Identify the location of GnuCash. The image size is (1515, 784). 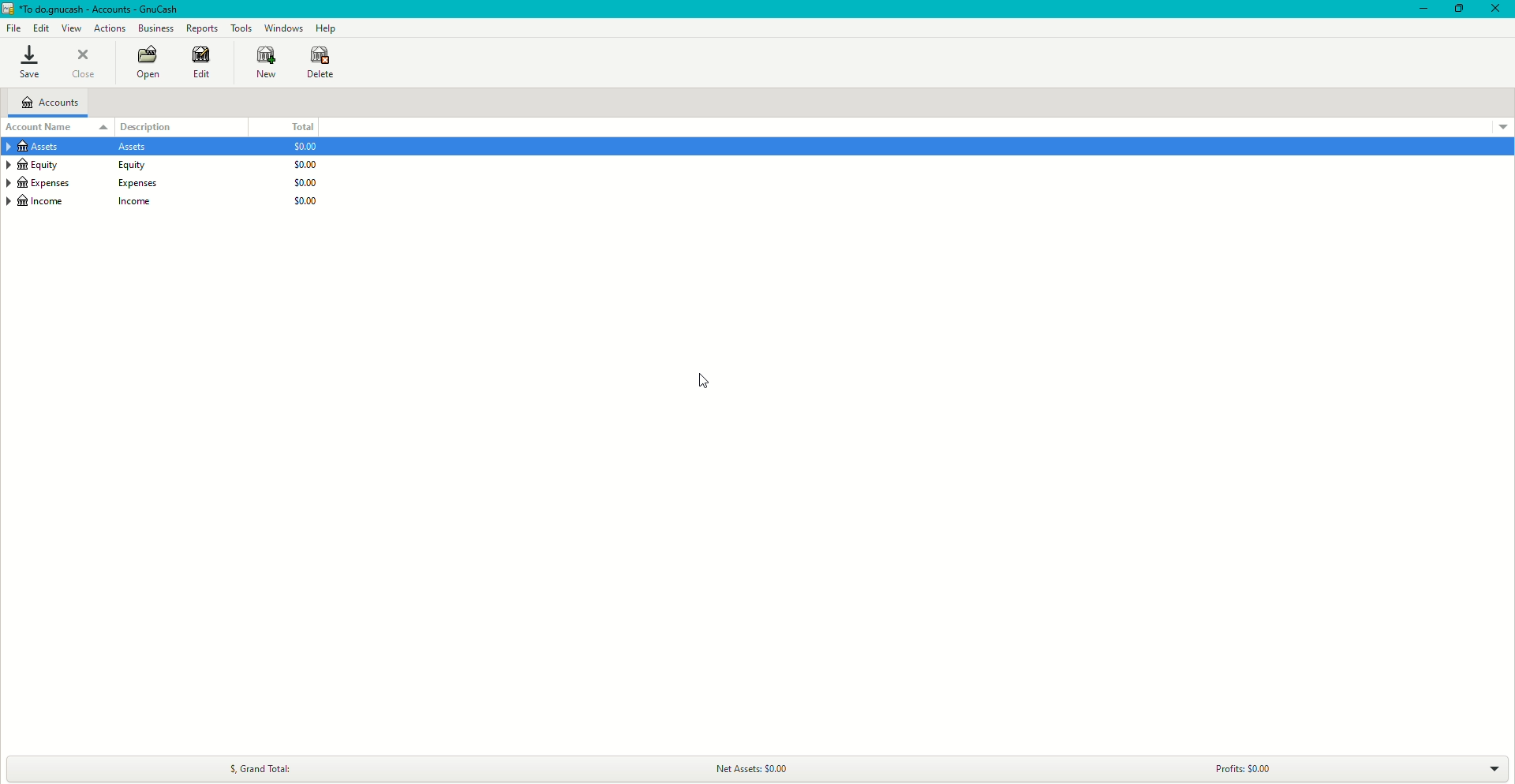
(93, 10).